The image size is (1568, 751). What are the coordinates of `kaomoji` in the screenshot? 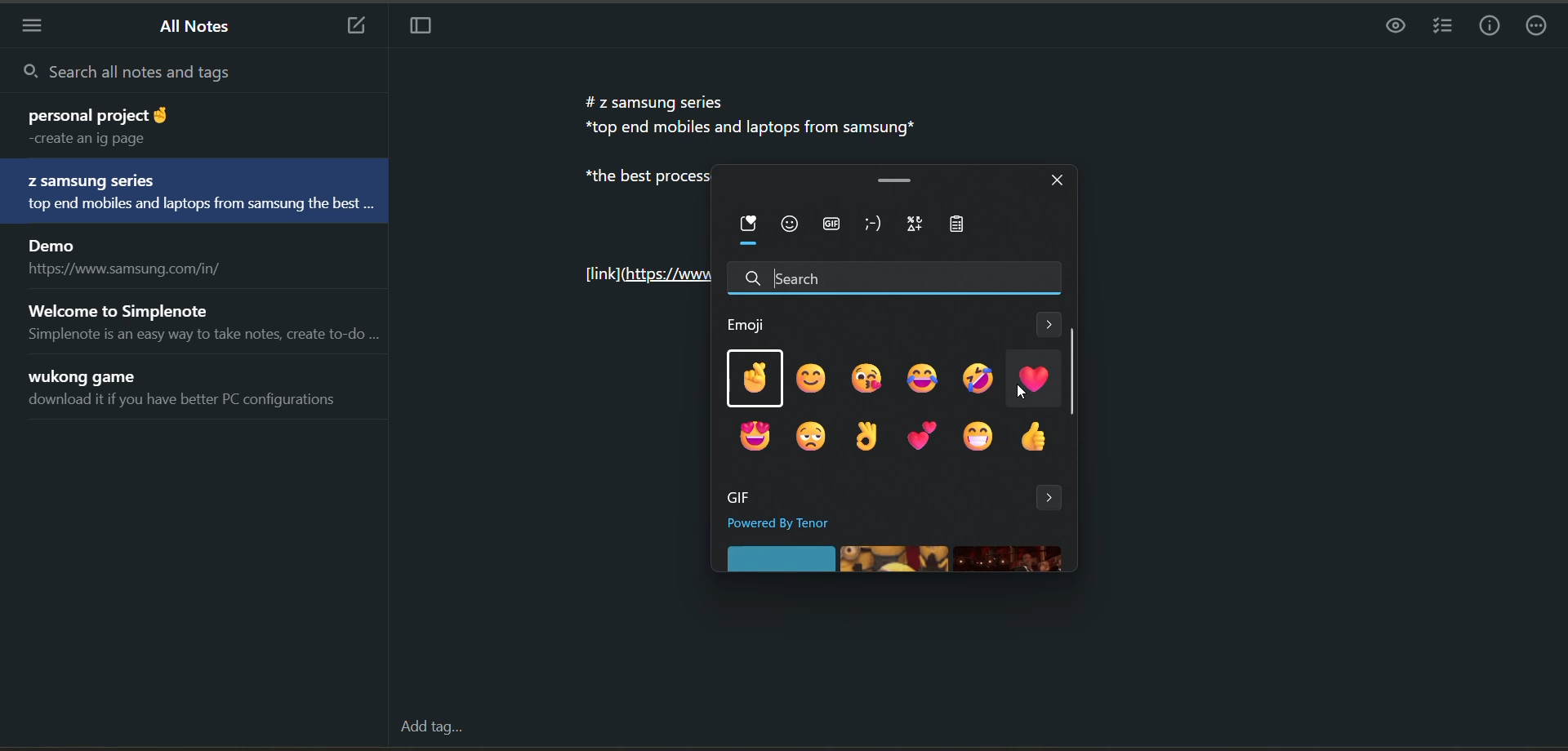 It's located at (878, 224).